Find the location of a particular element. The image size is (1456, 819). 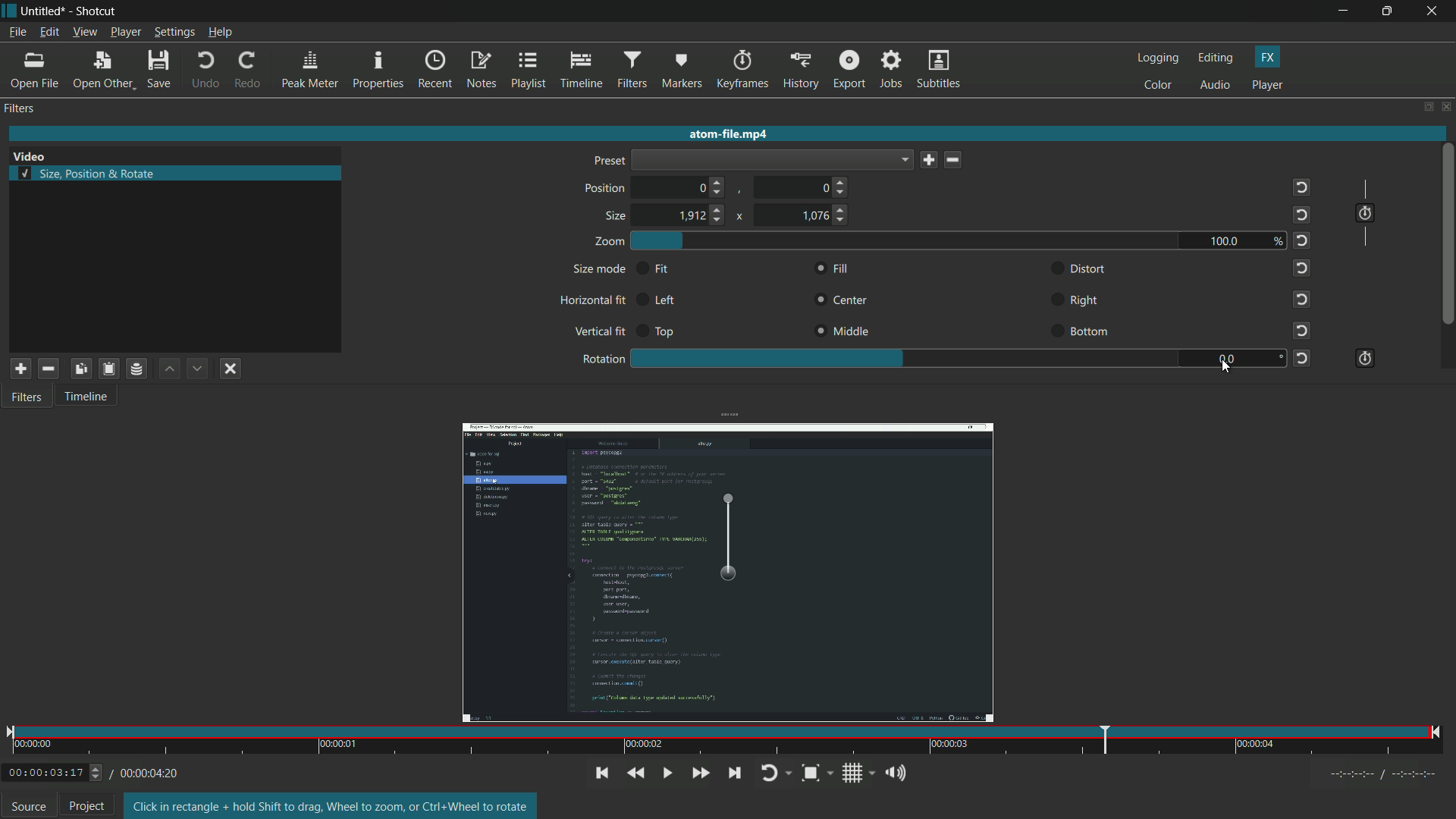

atom-file.mp4 (imported video name) is located at coordinates (742, 135).